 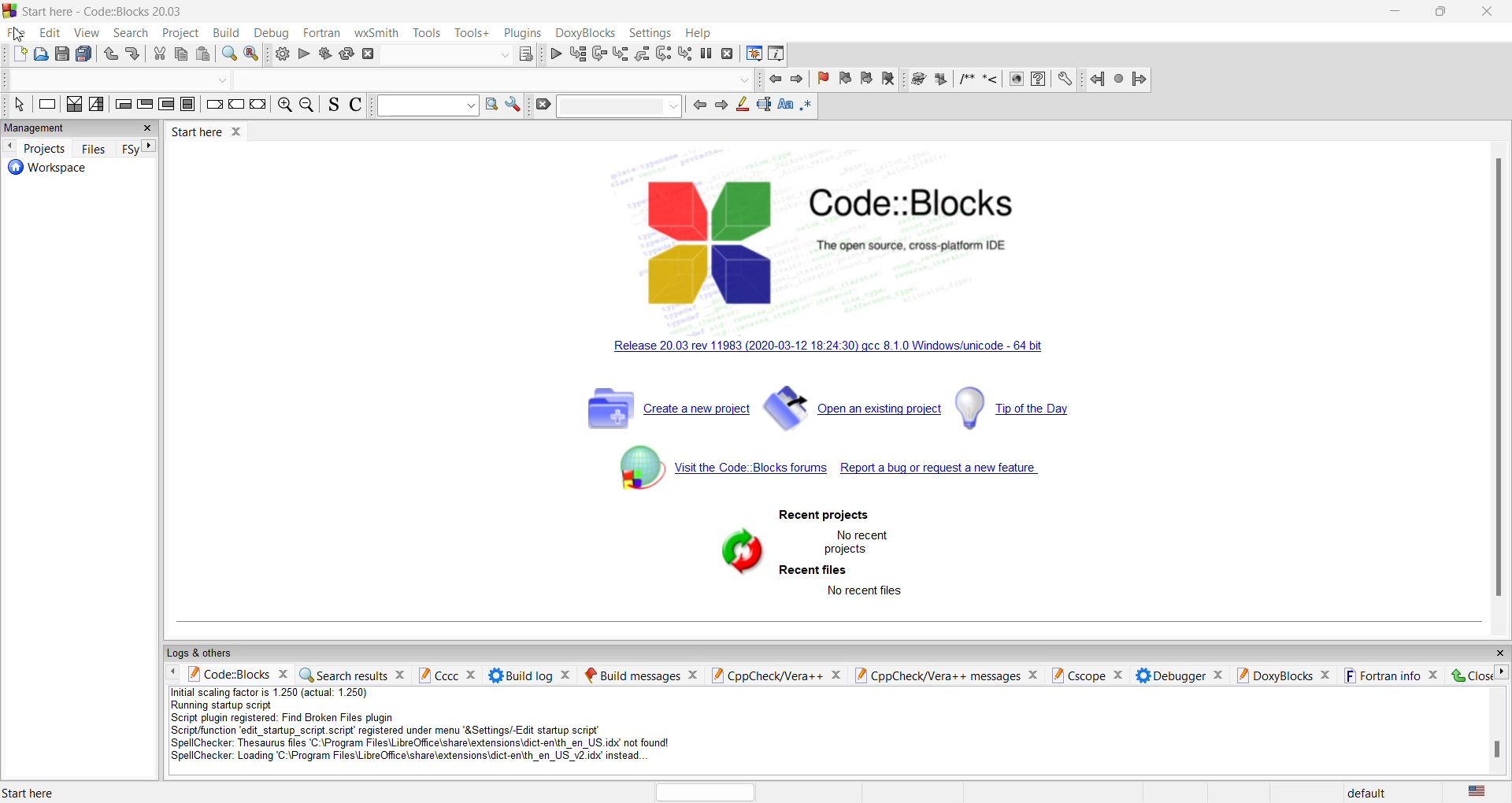 What do you see at coordinates (806, 109) in the screenshot?
I see `full regex` at bounding box center [806, 109].